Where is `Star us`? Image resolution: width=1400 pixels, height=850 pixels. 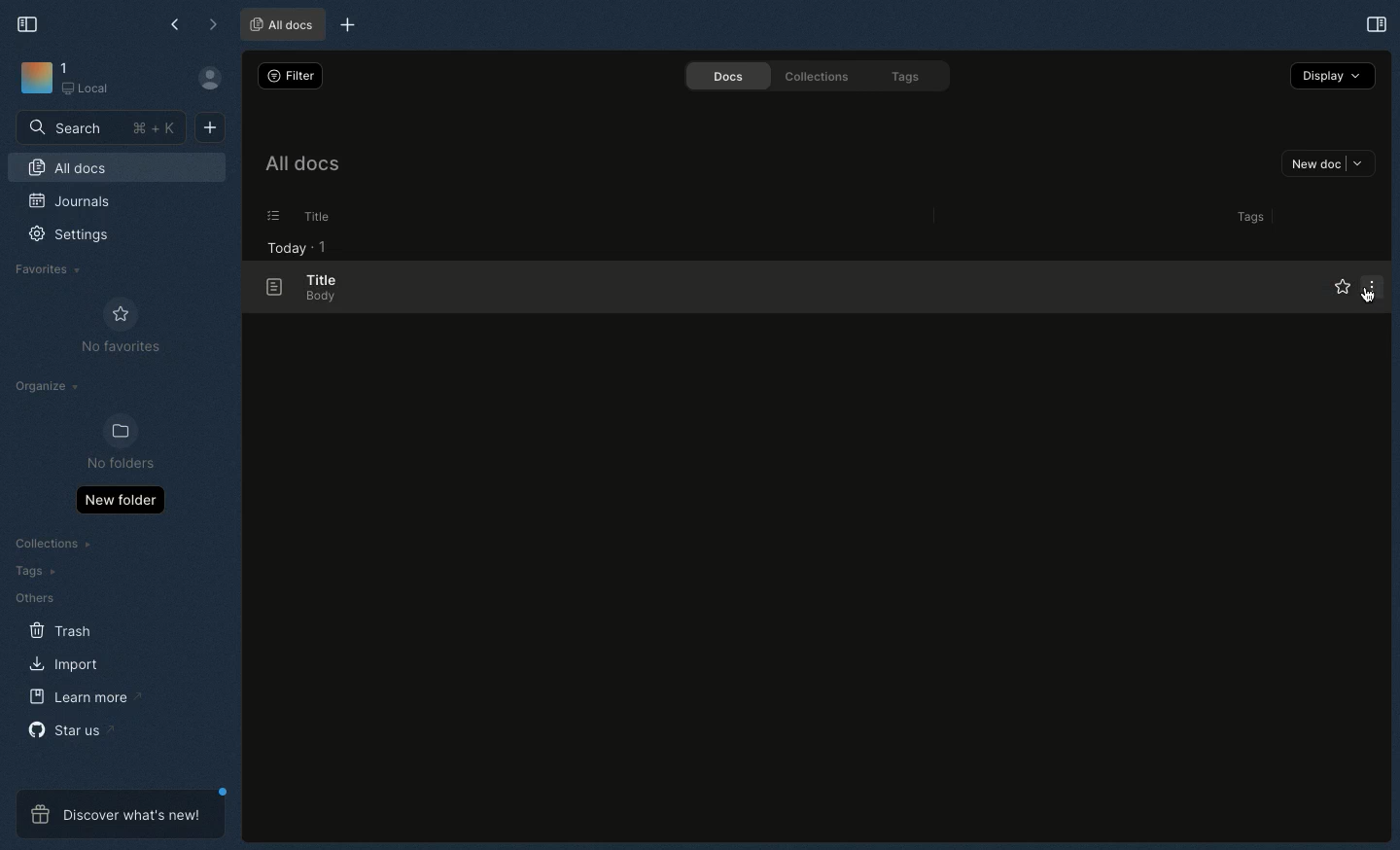 Star us is located at coordinates (69, 729).